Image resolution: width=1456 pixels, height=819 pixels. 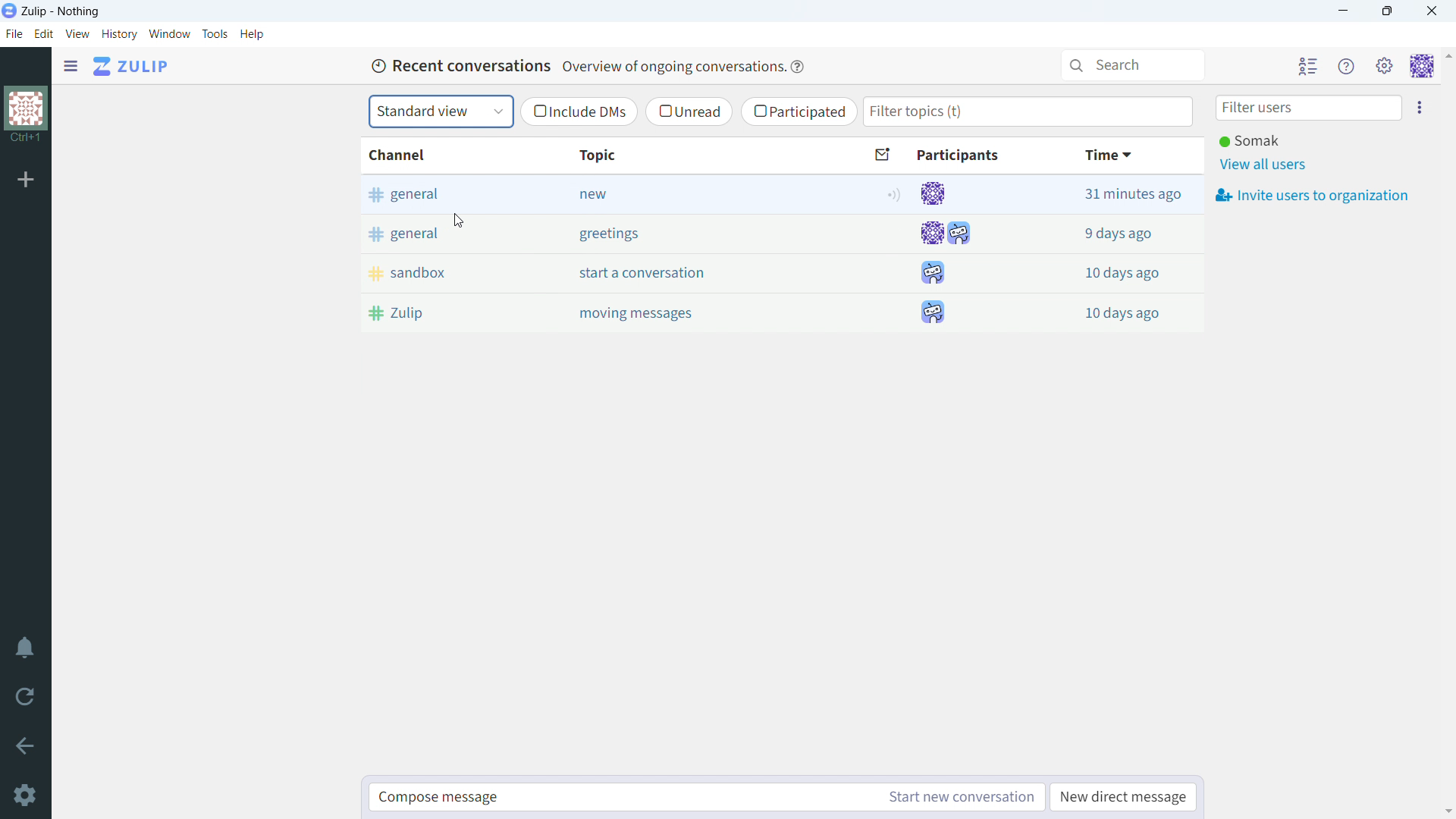 I want to click on sort by unread message count, so click(x=885, y=155).